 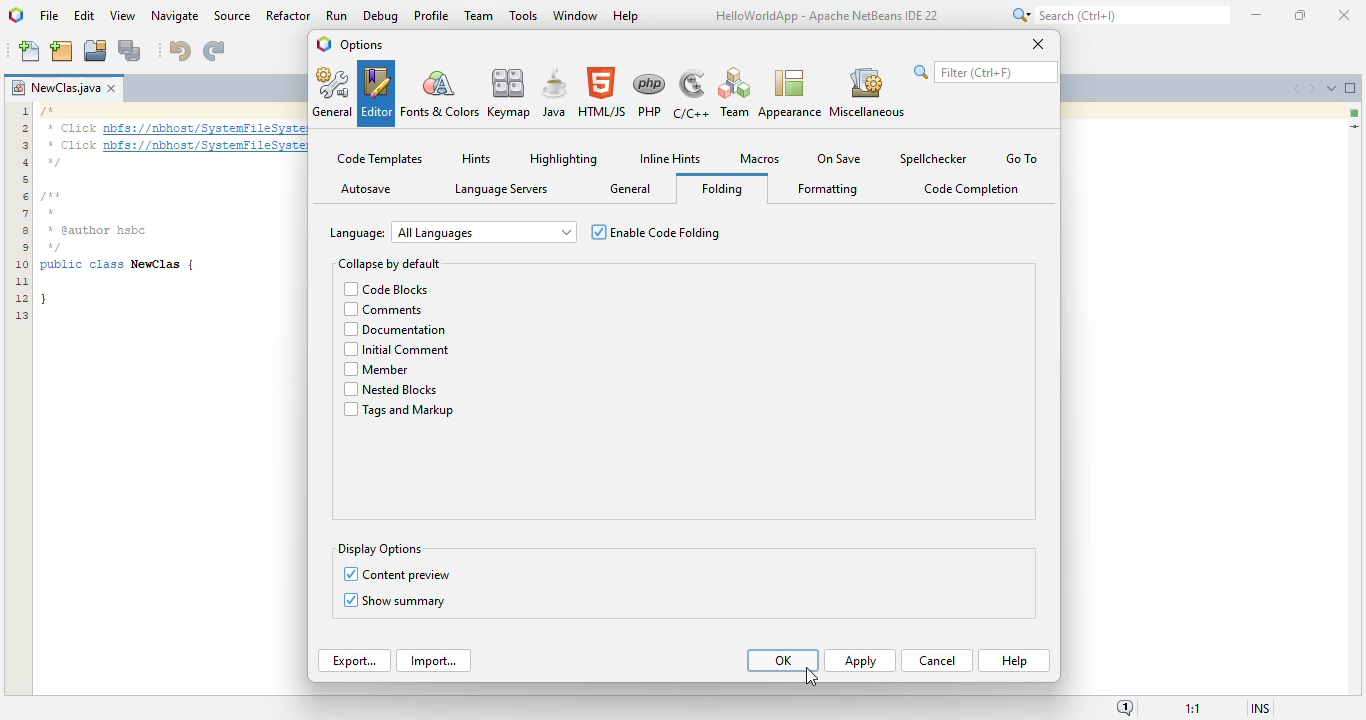 I want to click on spellchecker, so click(x=932, y=159).